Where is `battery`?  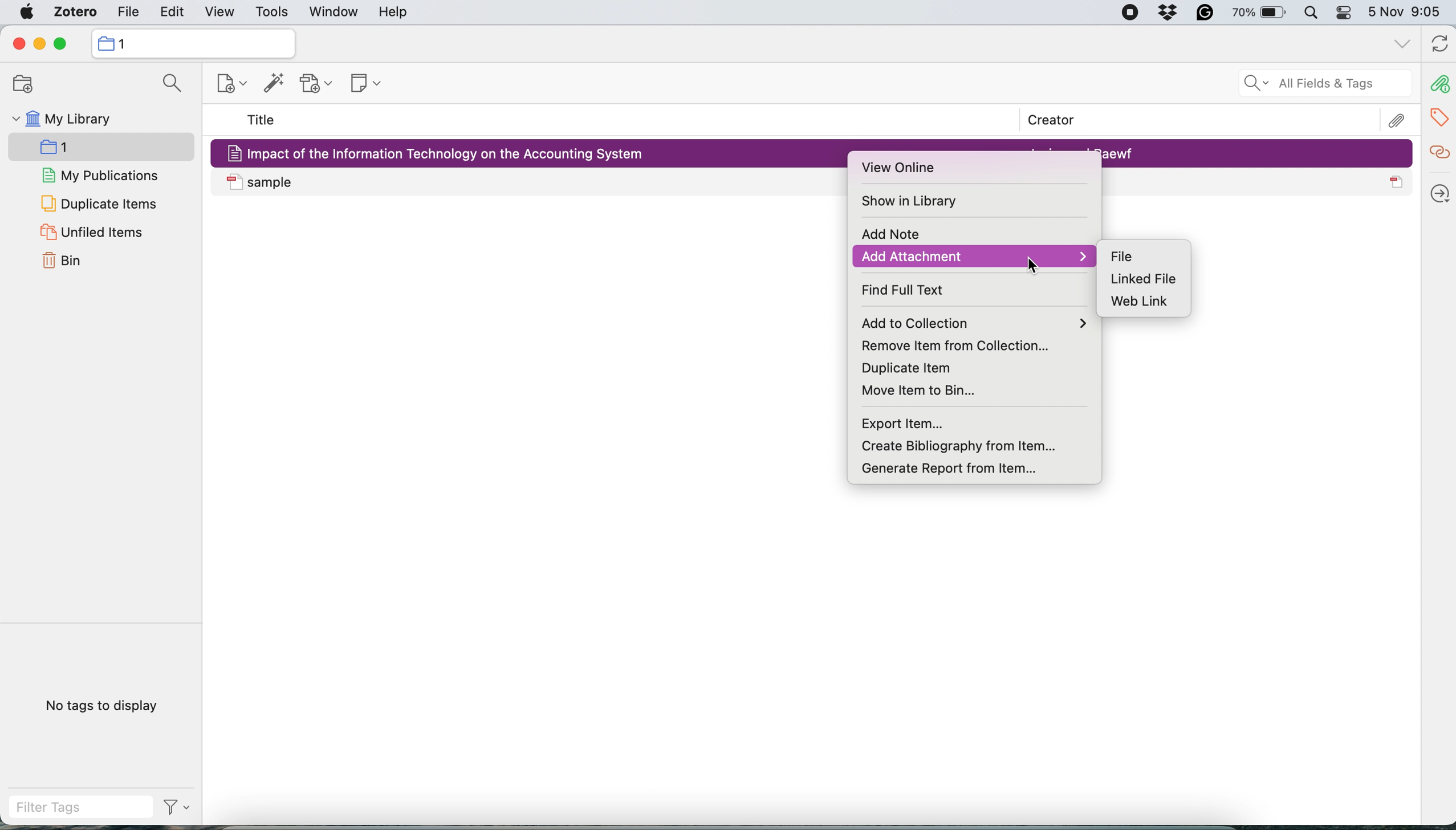 battery is located at coordinates (1255, 12).